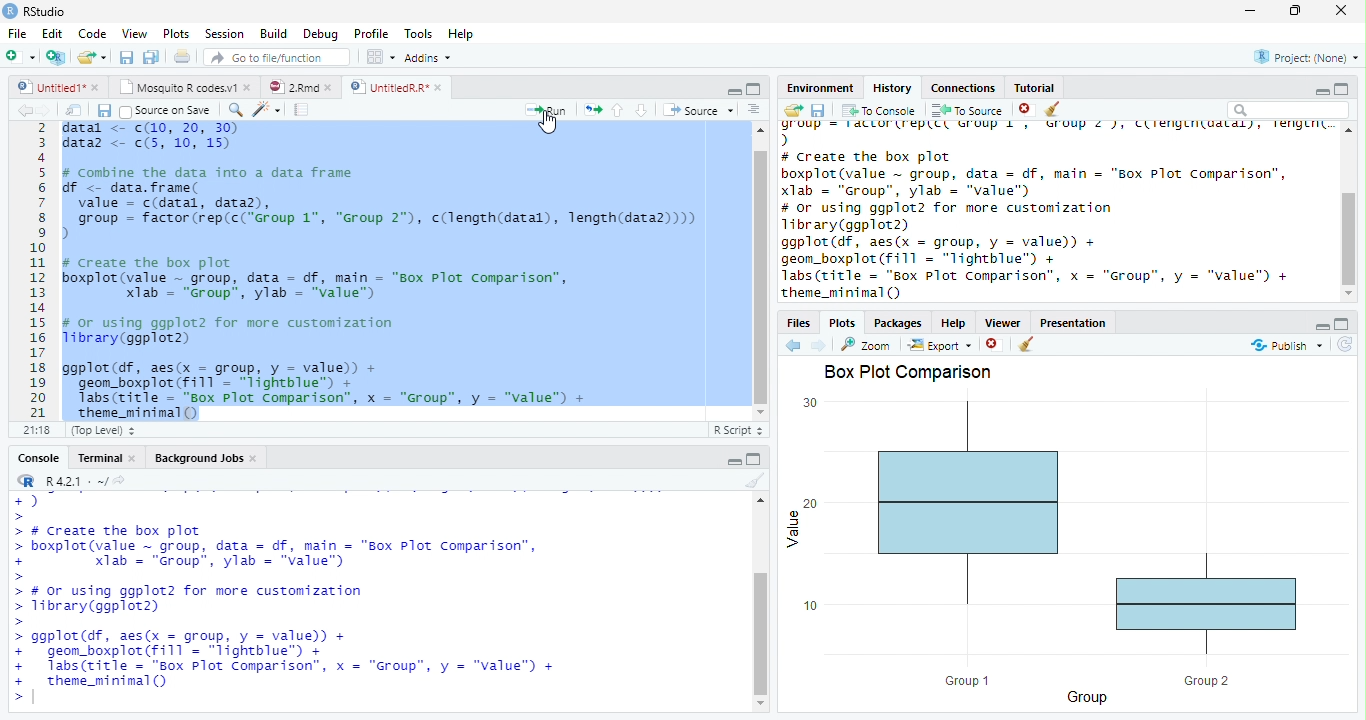 This screenshot has height=720, width=1366. I want to click on close, so click(328, 87).